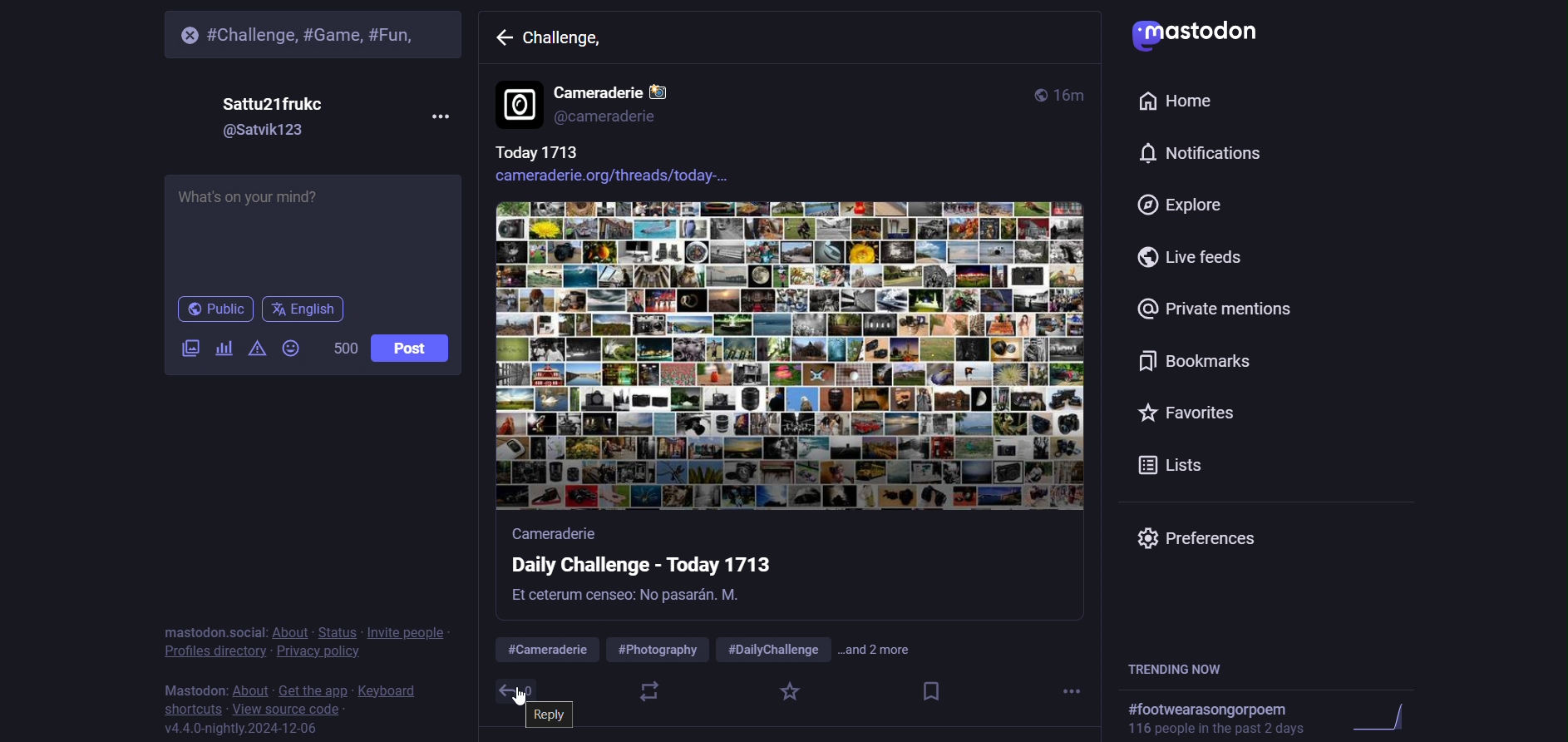 The width and height of the screenshot is (1568, 742). What do you see at coordinates (409, 633) in the screenshot?
I see `invite people` at bounding box center [409, 633].